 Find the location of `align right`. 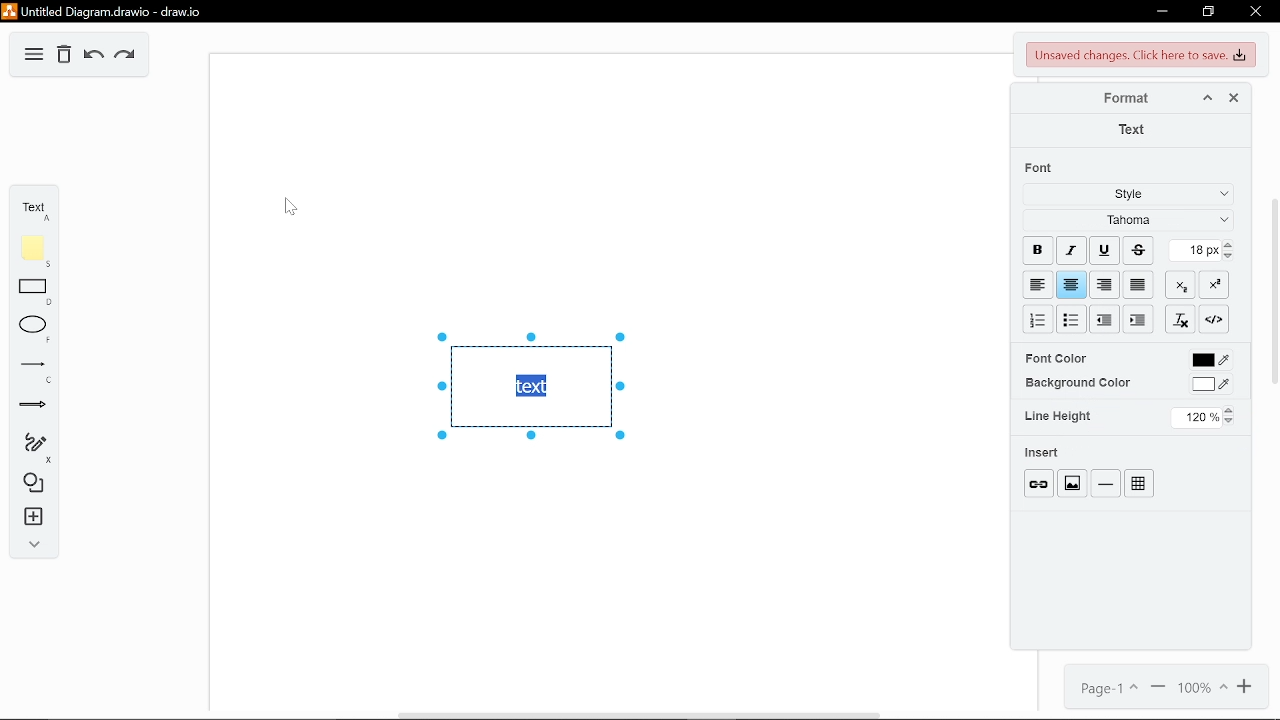

align right is located at coordinates (1103, 286).